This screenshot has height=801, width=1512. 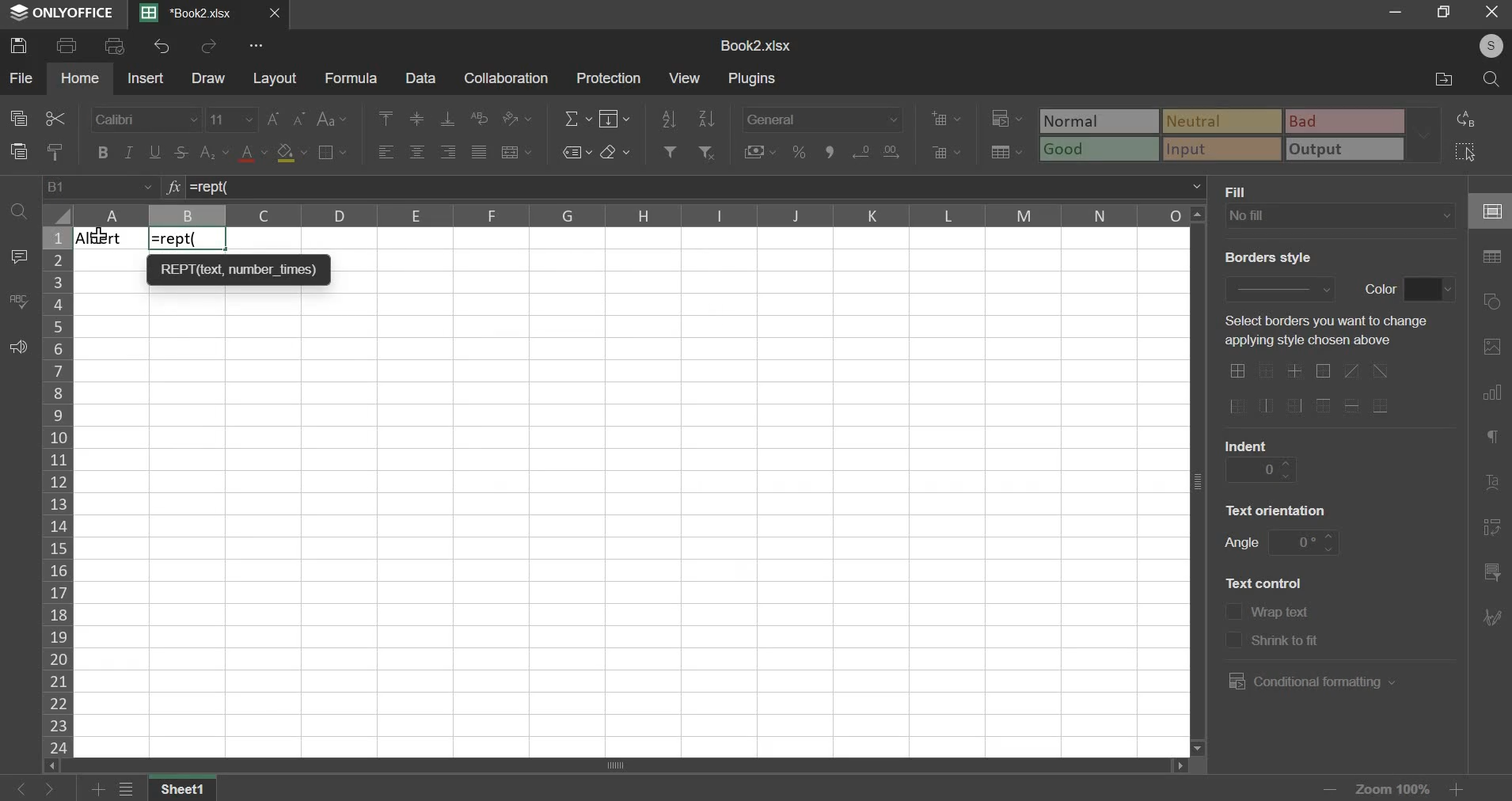 I want to click on insert, so click(x=145, y=78).